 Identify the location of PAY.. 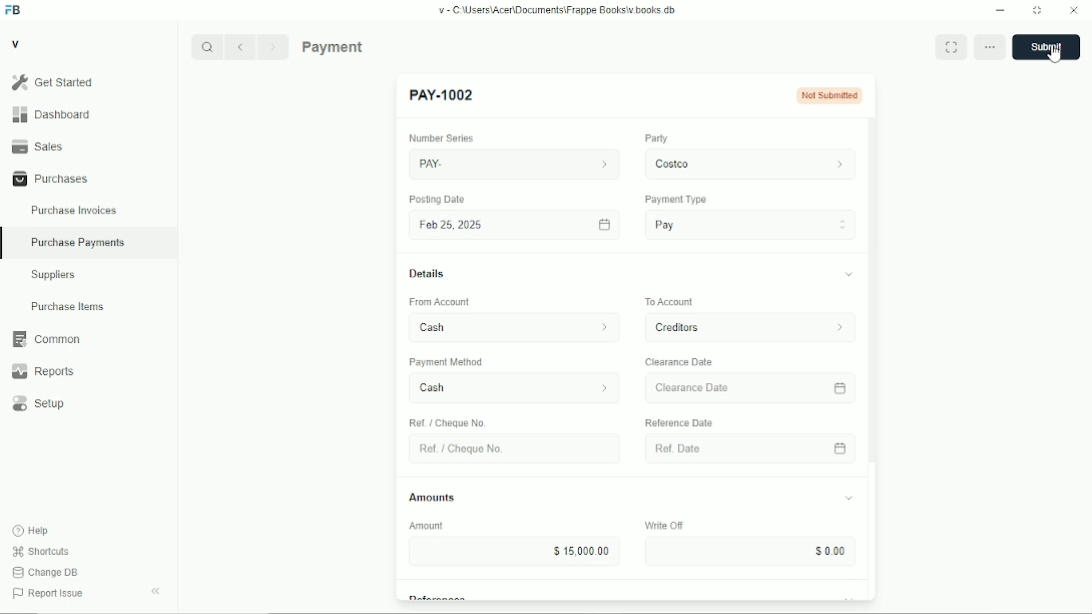
(515, 161).